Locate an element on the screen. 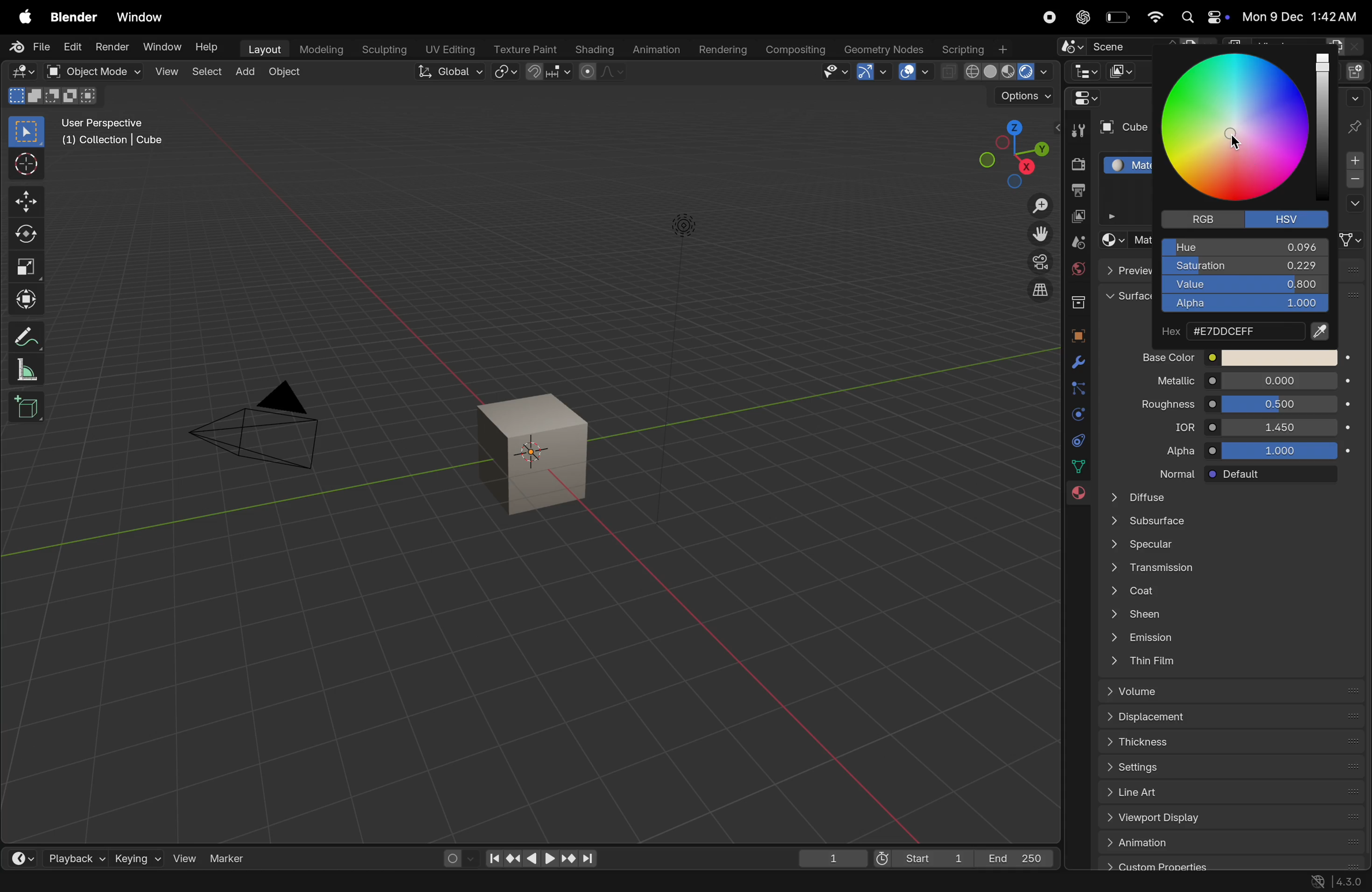  Blender menu is located at coordinates (73, 17).